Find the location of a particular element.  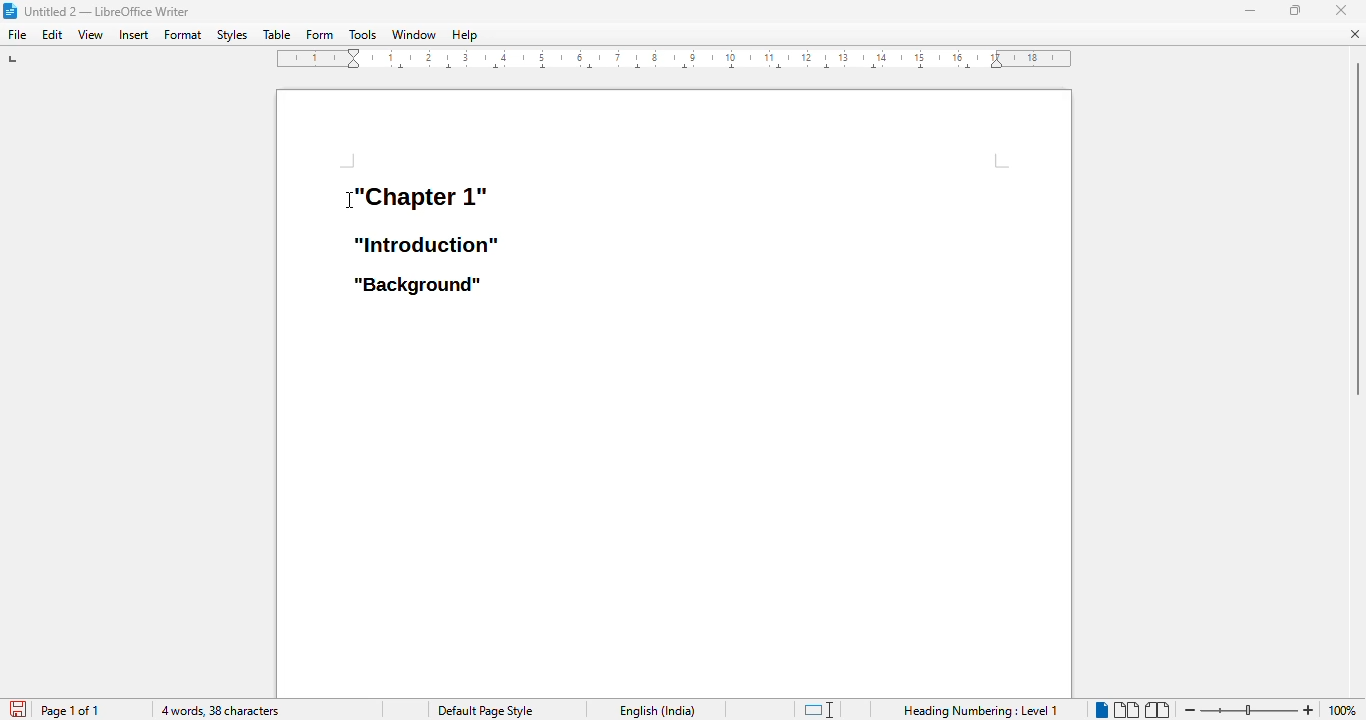

title is located at coordinates (106, 11).